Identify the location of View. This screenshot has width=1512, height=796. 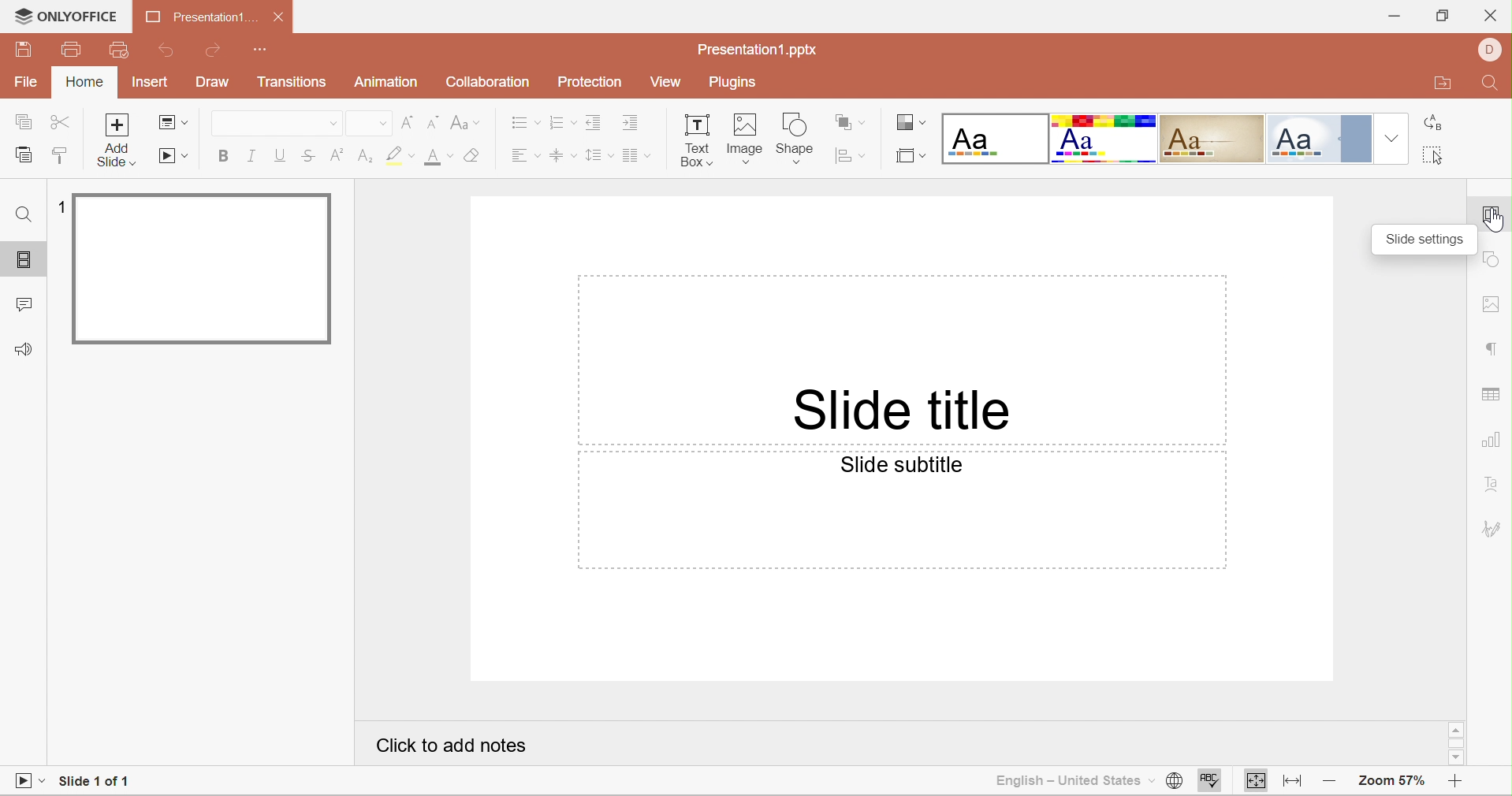
(666, 82).